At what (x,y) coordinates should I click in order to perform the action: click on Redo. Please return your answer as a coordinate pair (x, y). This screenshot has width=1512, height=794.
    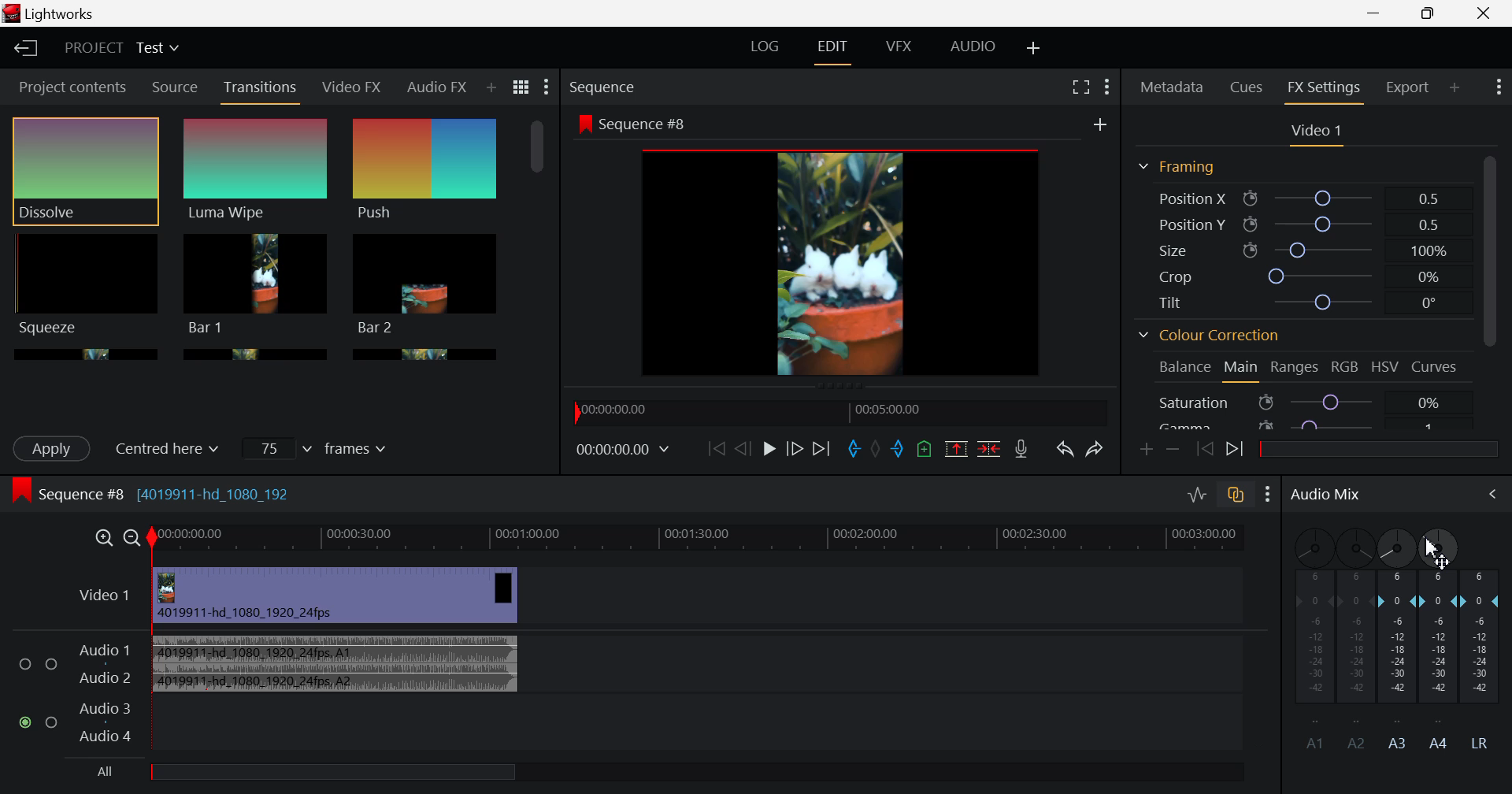
    Looking at the image, I should click on (1096, 451).